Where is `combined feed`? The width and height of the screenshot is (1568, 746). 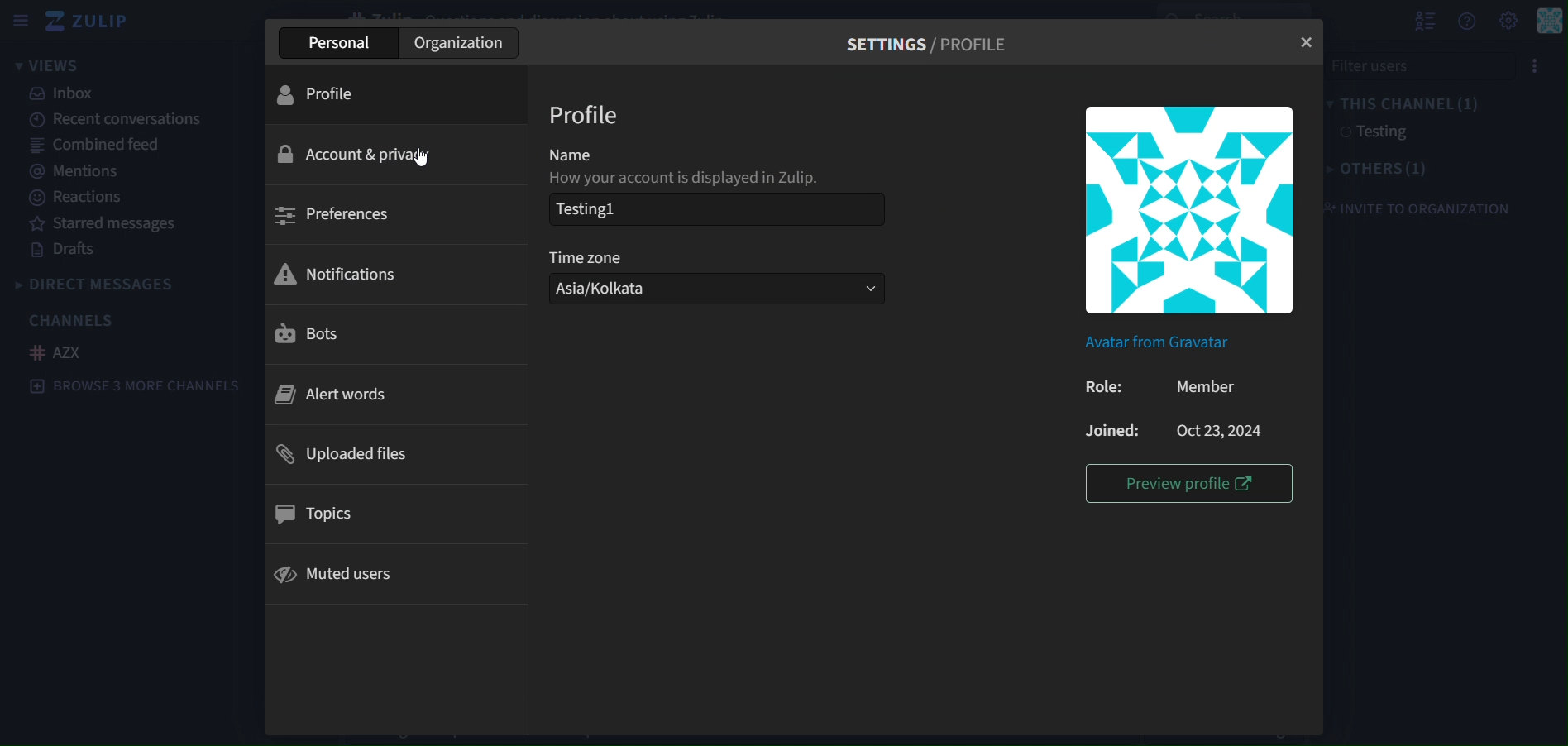 combined feed is located at coordinates (97, 146).